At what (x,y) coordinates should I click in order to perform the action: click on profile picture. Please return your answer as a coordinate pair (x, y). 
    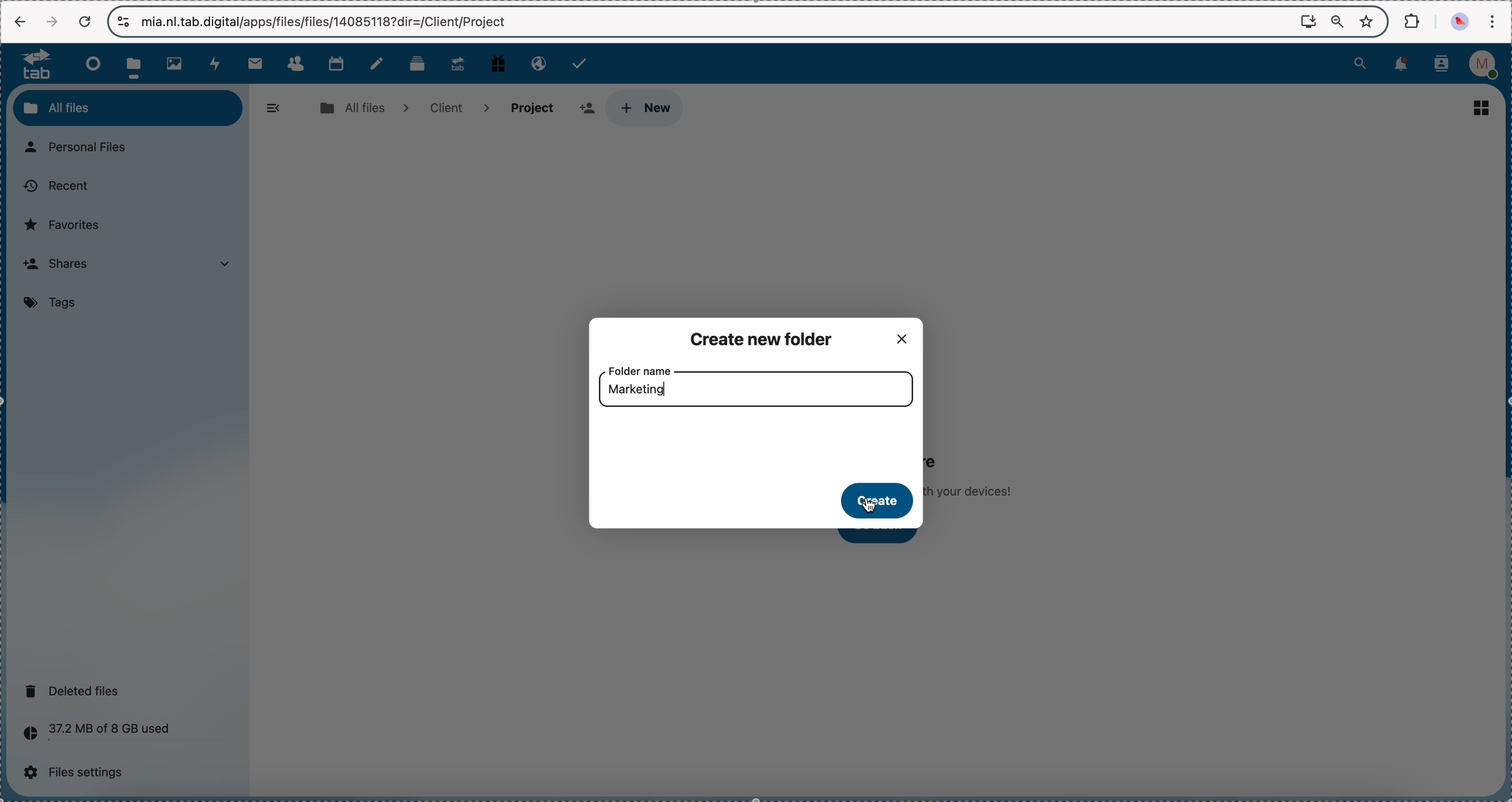
    Looking at the image, I should click on (1462, 22).